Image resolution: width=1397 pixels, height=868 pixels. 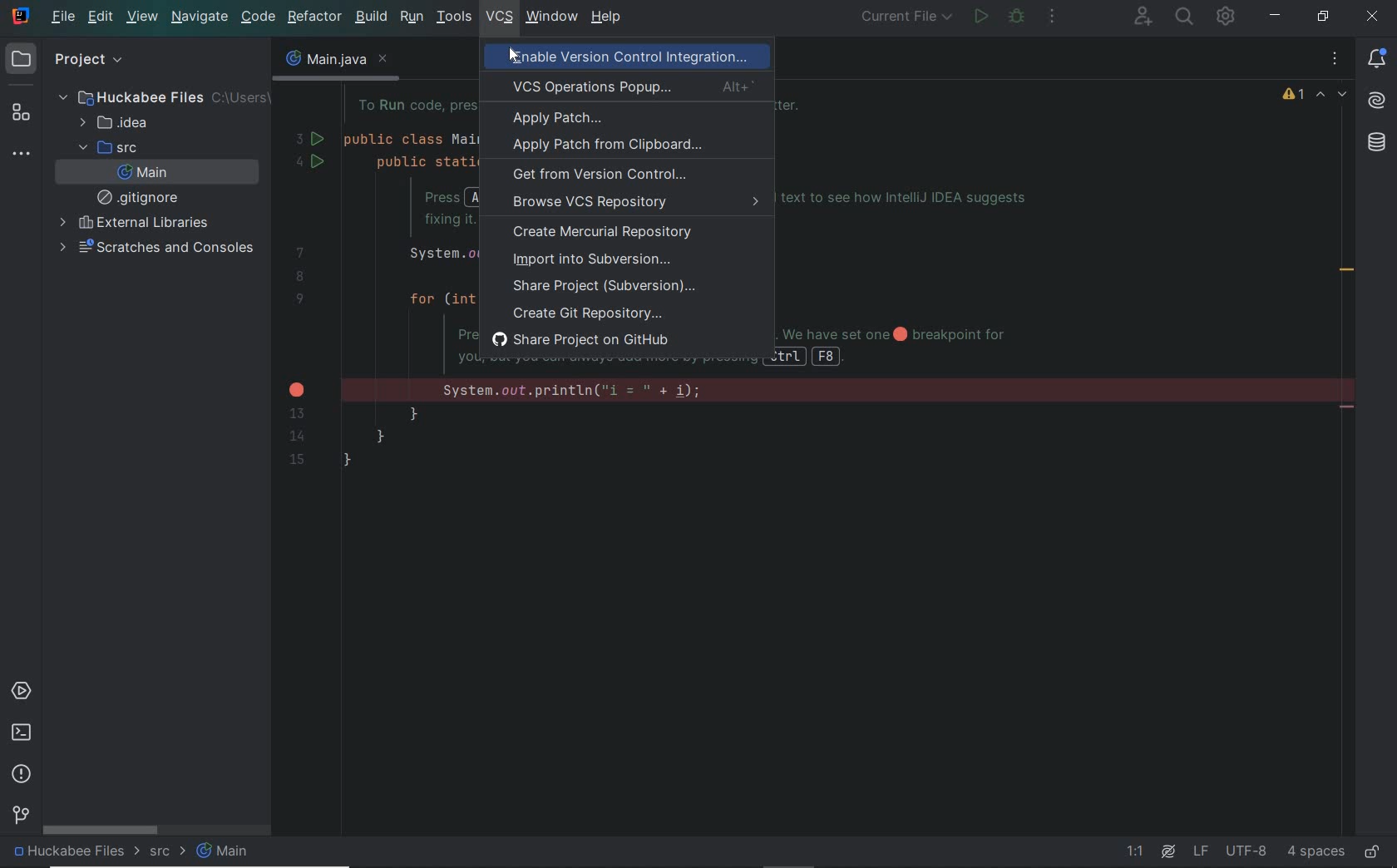 What do you see at coordinates (1246, 851) in the screenshot?
I see `file encoding` at bounding box center [1246, 851].